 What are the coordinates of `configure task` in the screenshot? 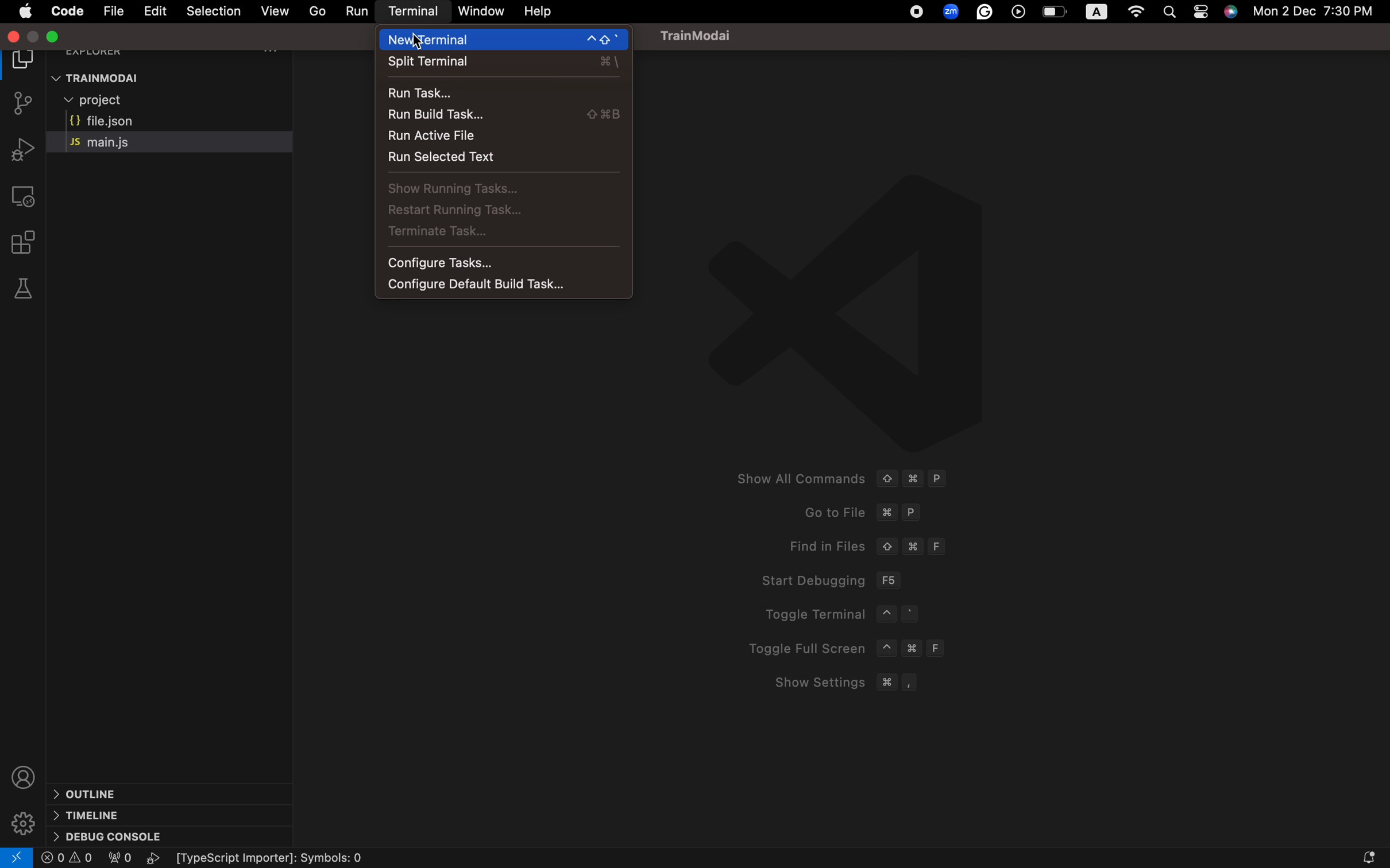 It's located at (507, 262).